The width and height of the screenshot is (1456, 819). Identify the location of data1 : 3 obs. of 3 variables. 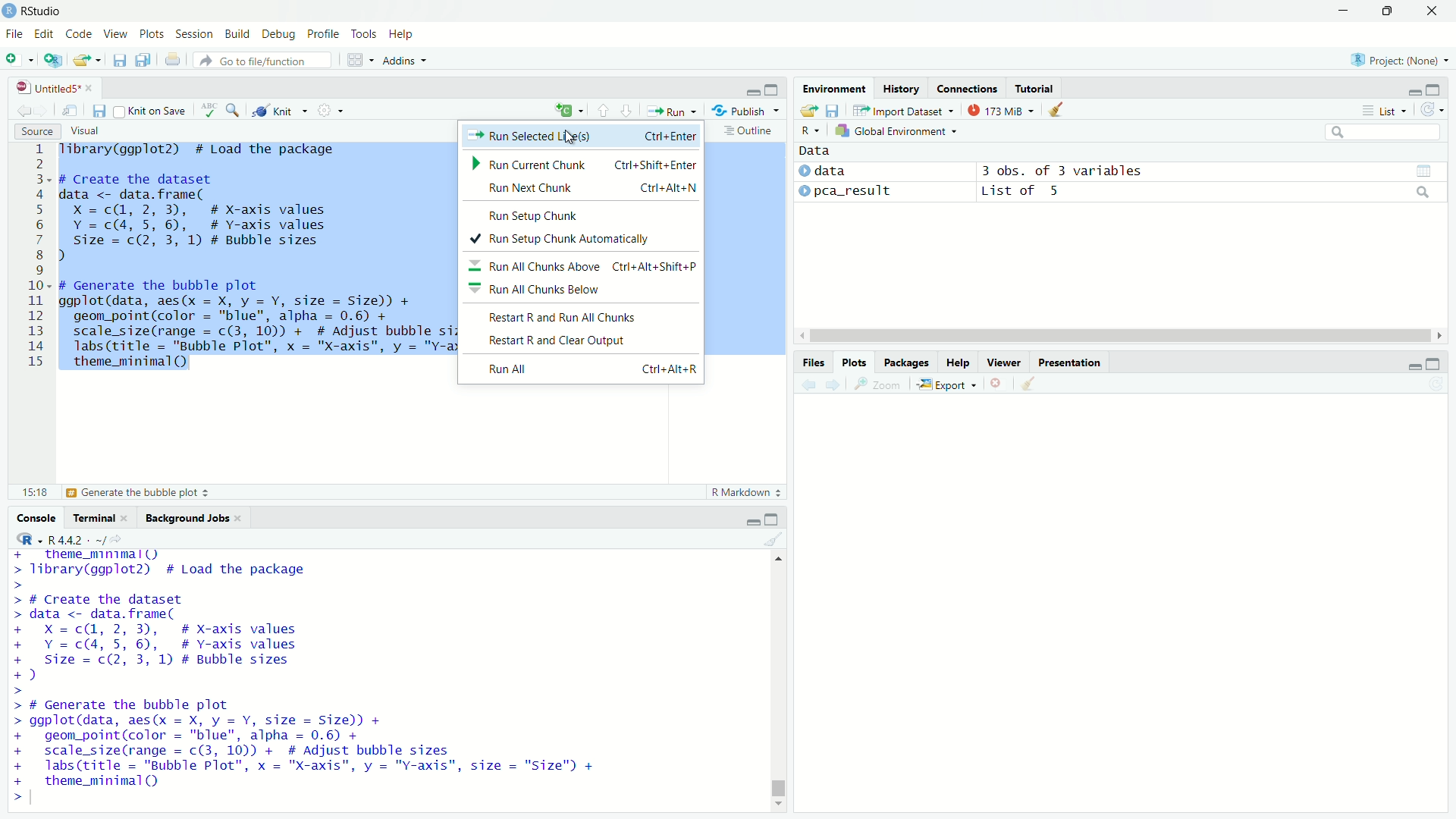
(1212, 172).